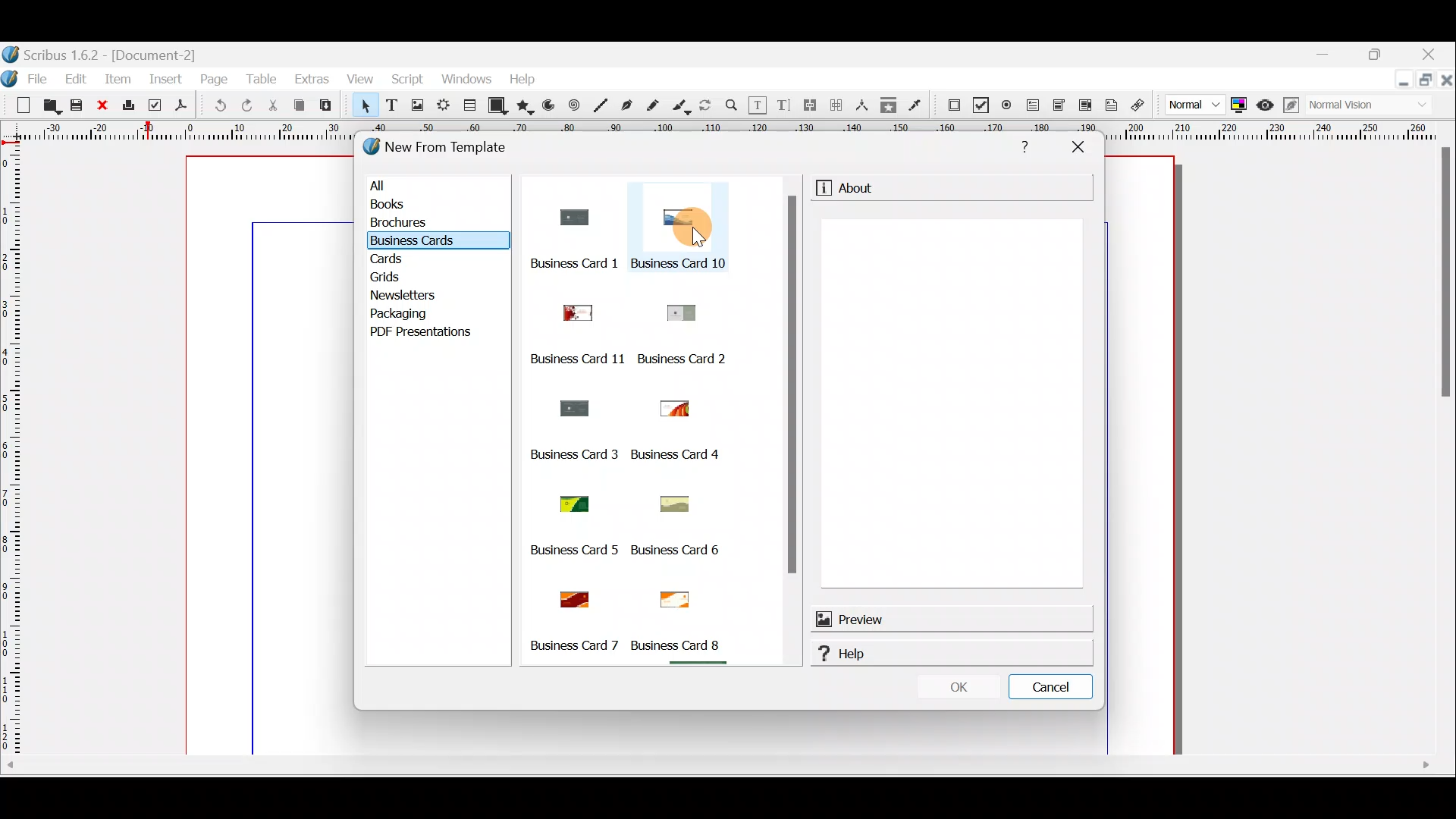  Describe the element at coordinates (243, 107) in the screenshot. I see `Redo` at that location.